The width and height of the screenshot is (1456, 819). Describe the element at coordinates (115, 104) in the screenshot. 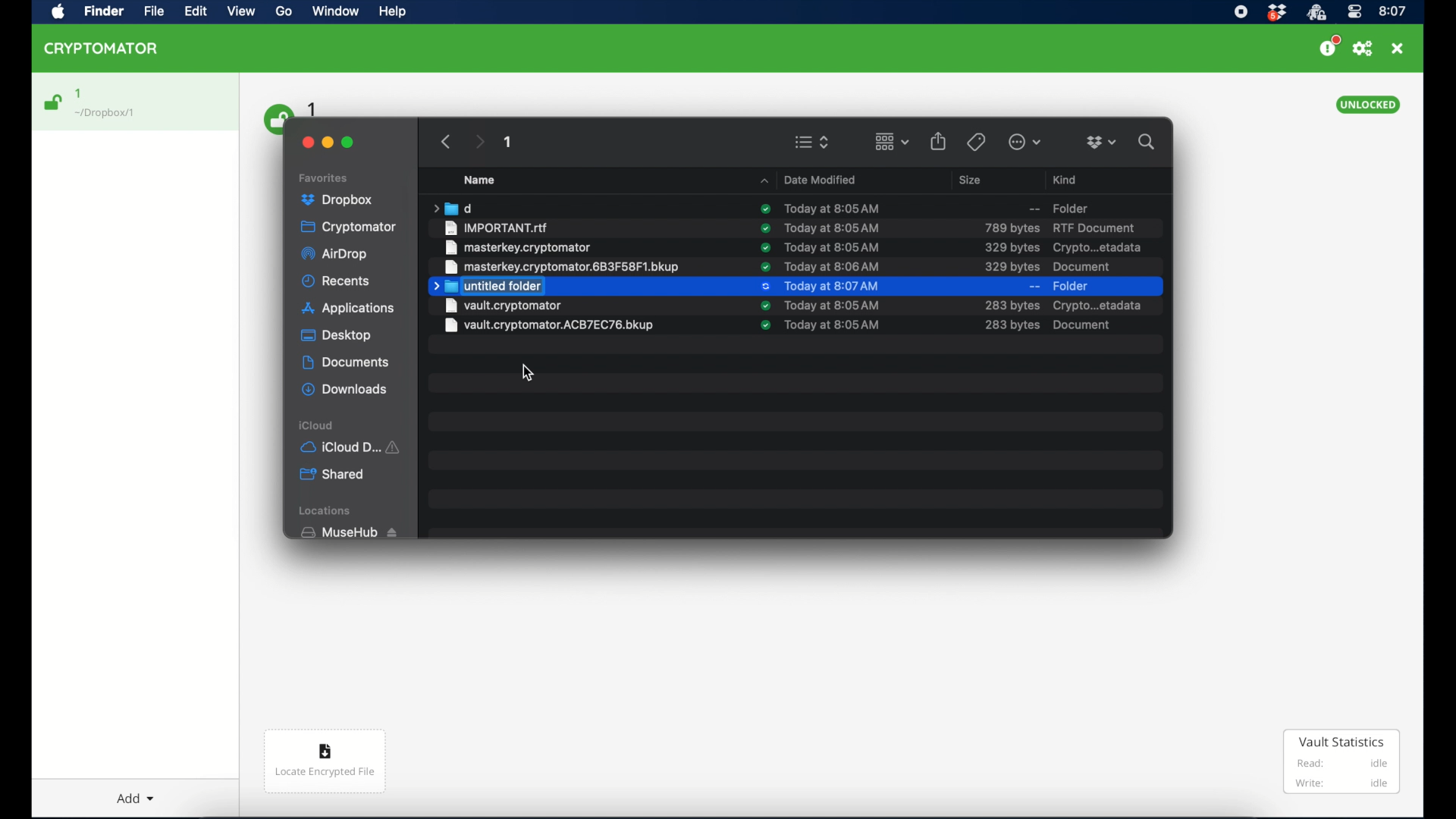

I see `1 Dropbox/1` at that location.